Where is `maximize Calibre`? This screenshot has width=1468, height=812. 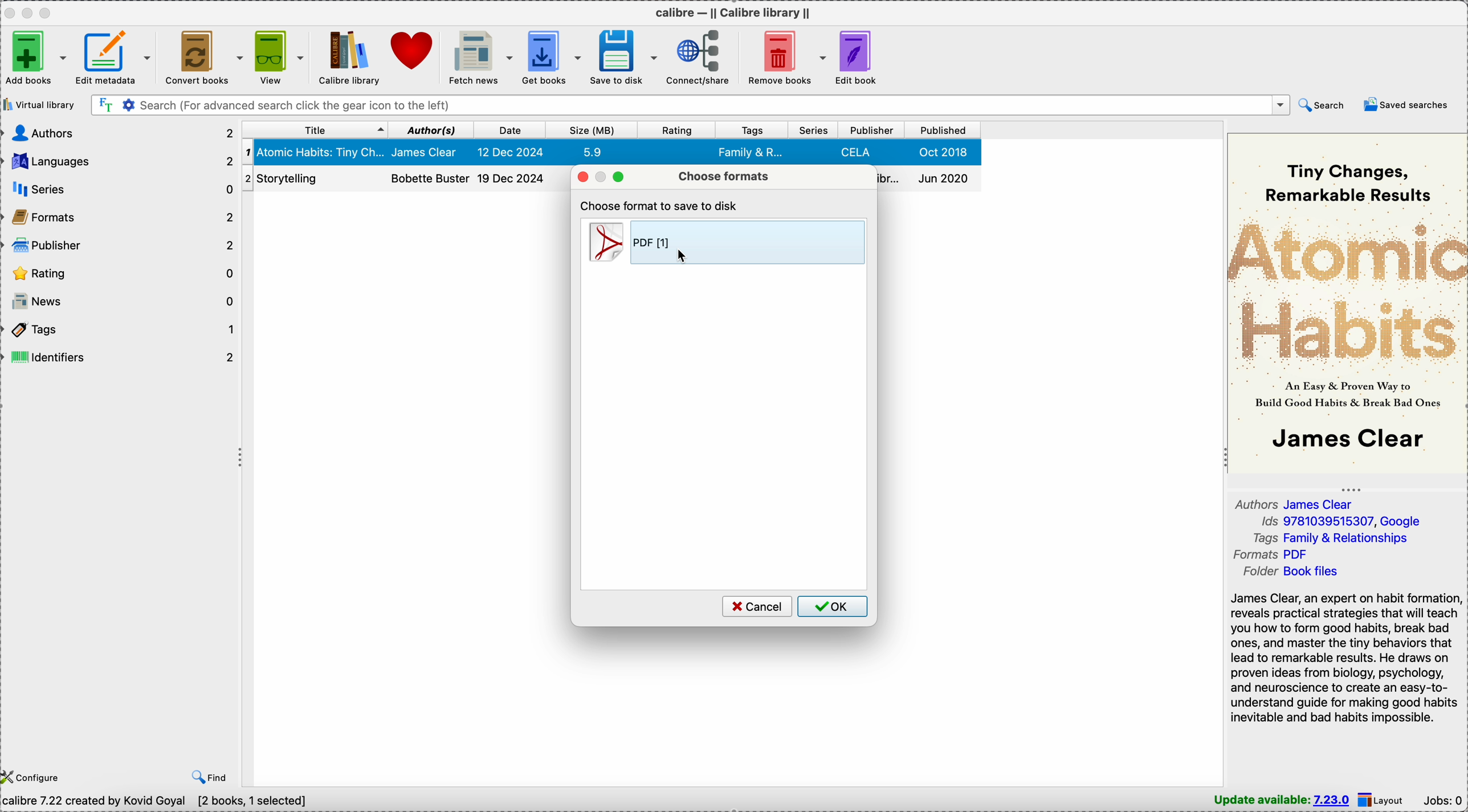
maximize Calibre is located at coordinates (48, 11).